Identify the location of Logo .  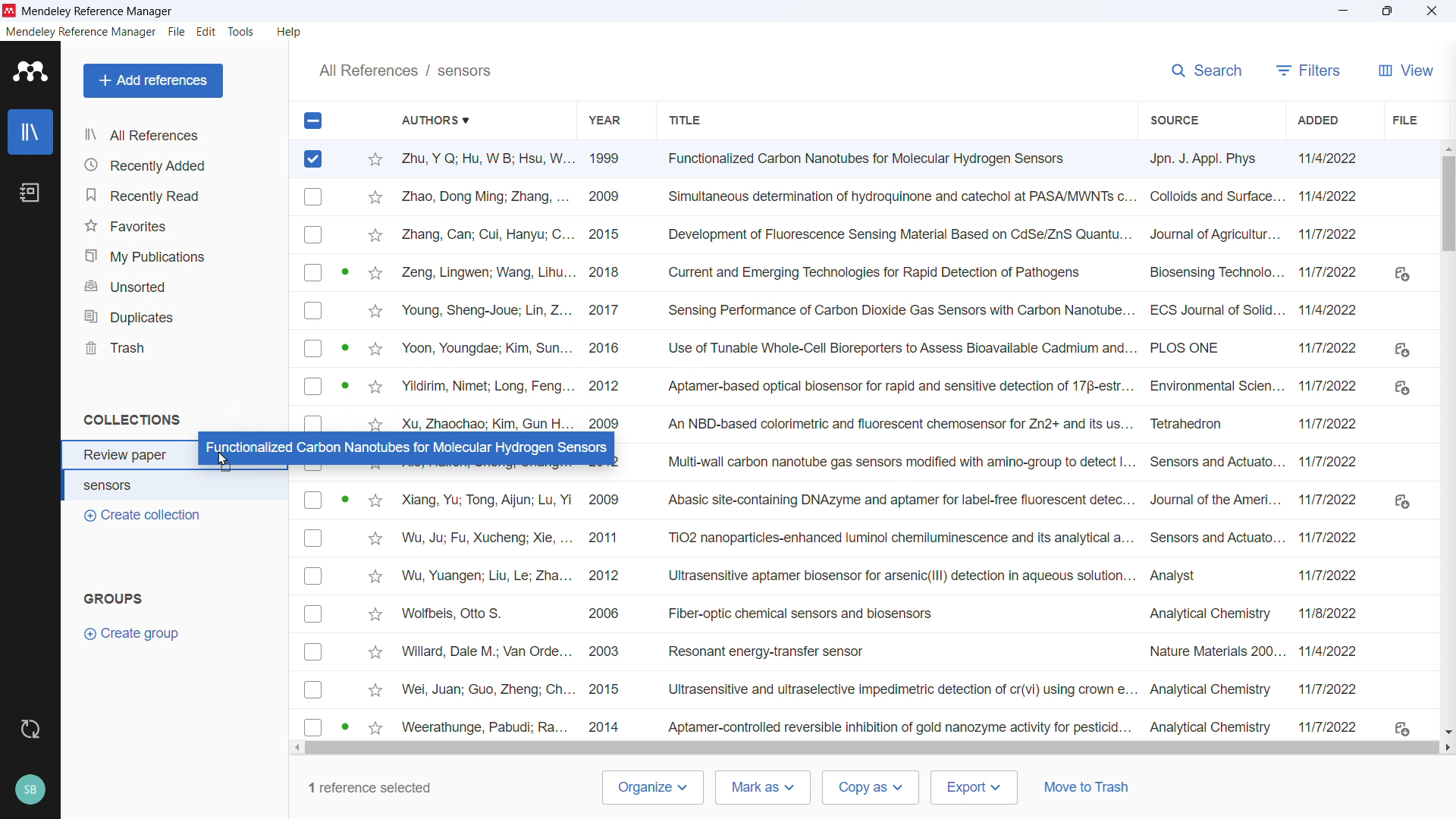
(30, 71).